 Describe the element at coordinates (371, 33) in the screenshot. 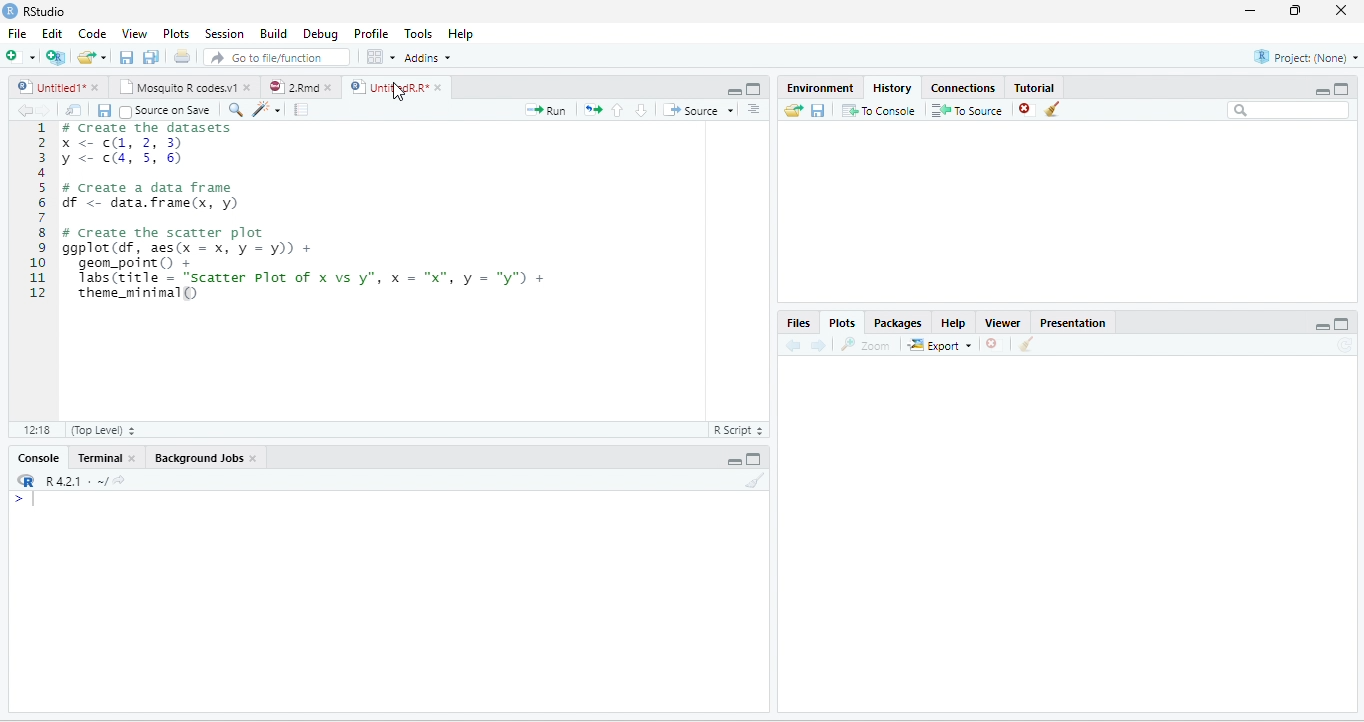

I see `Profile` at that location.